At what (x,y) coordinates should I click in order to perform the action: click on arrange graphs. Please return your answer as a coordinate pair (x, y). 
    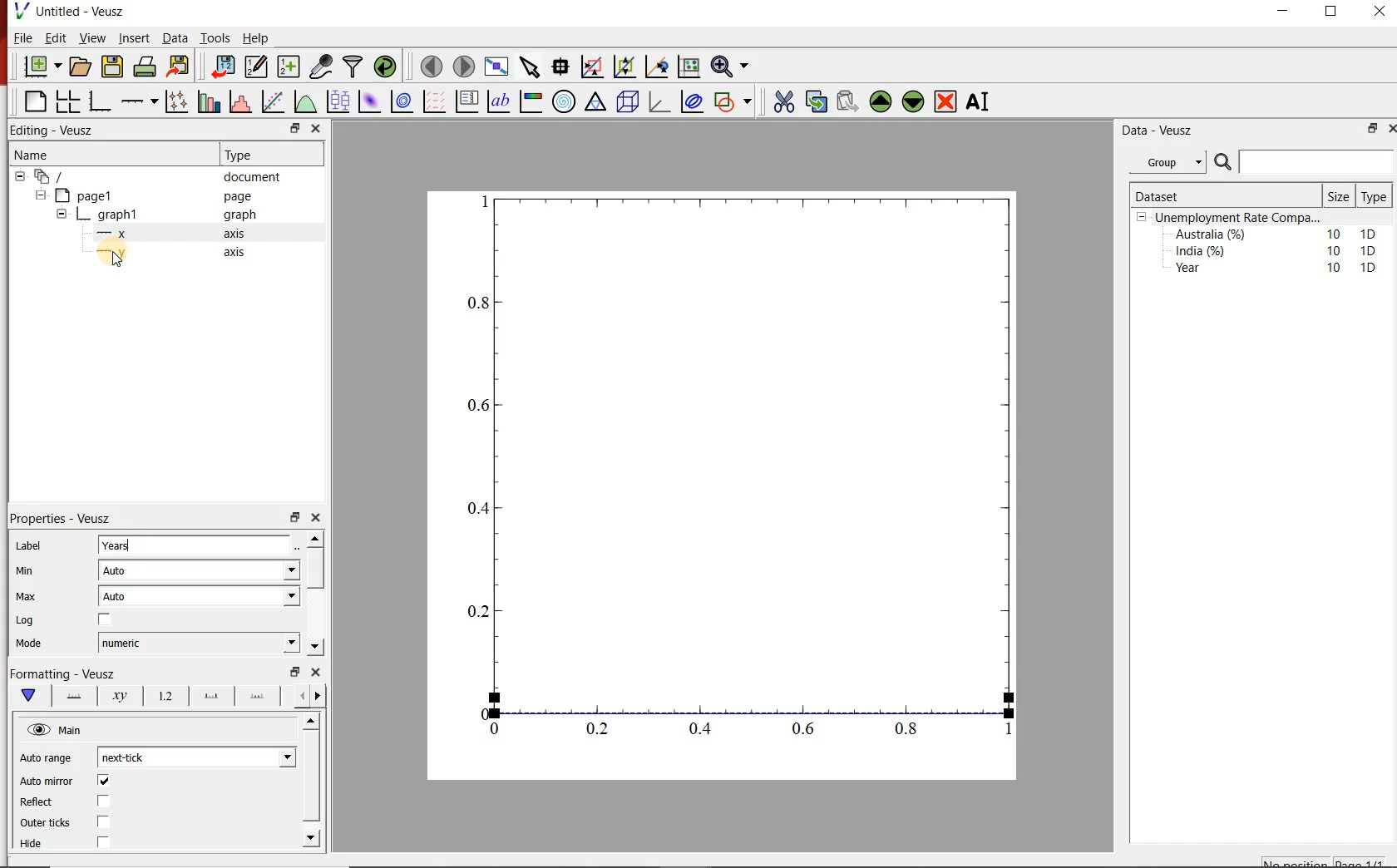
    Looking at the image, I should click on (67, 101).